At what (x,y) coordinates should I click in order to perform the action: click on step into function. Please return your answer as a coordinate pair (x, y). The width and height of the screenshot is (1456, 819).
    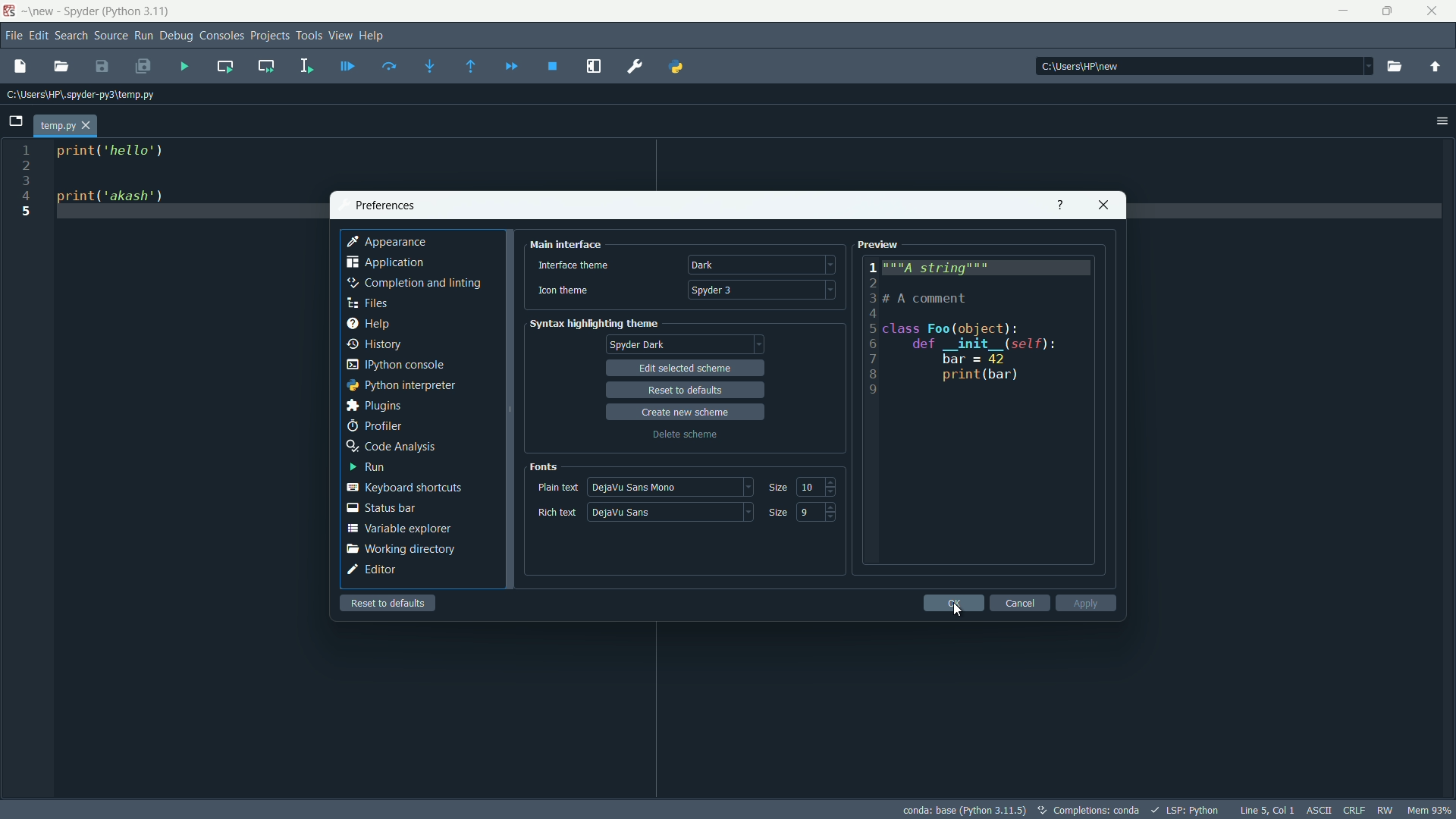
    Looking at the image, I should click on (429, 67).